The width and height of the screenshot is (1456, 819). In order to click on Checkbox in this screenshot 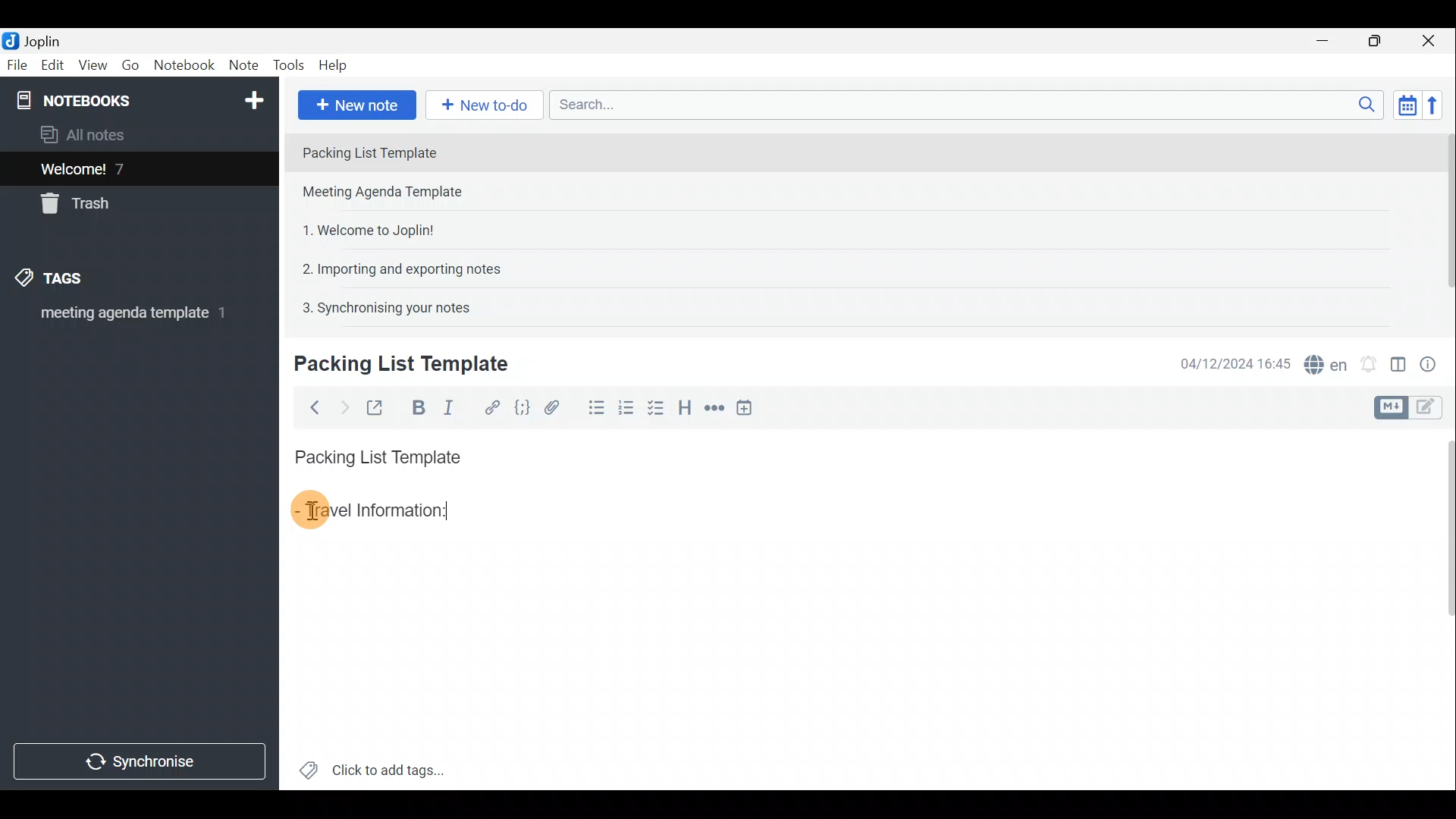, I will do `click(661, 412)`.